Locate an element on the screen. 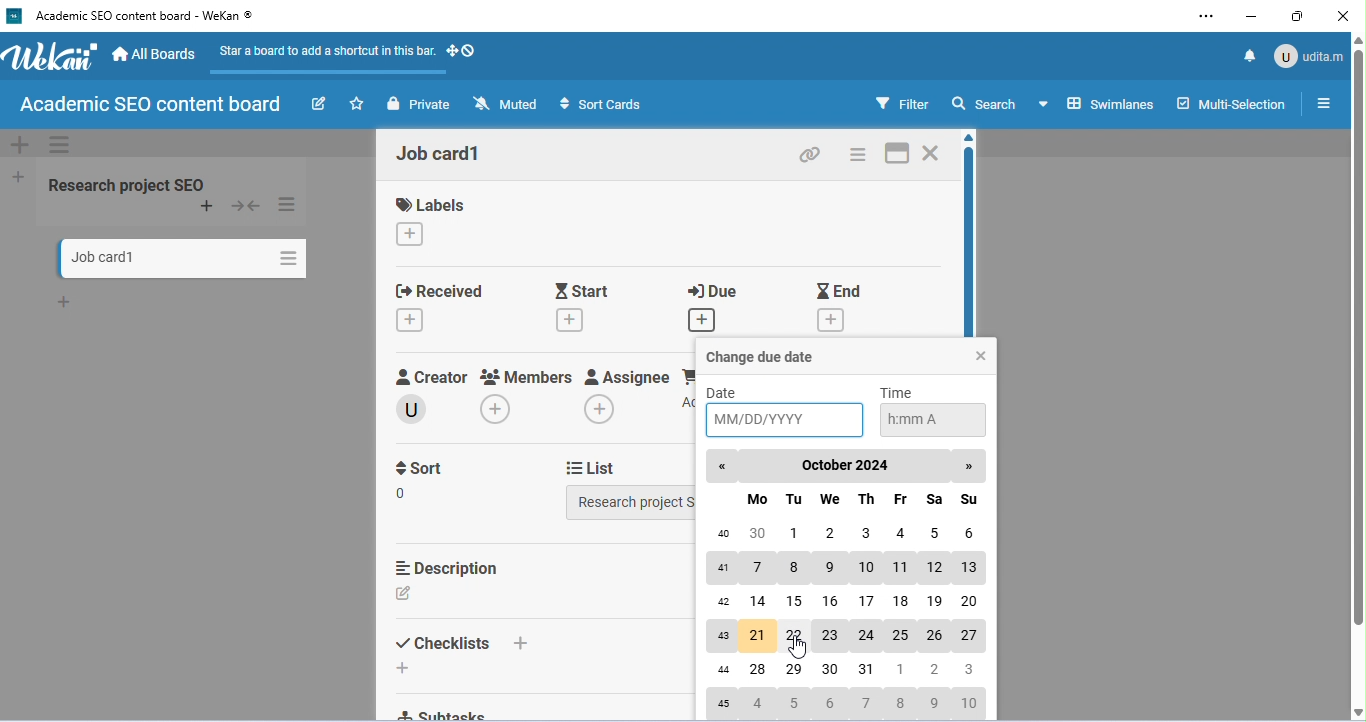  select time in h:mm A format is located at coordinates (934, 420).